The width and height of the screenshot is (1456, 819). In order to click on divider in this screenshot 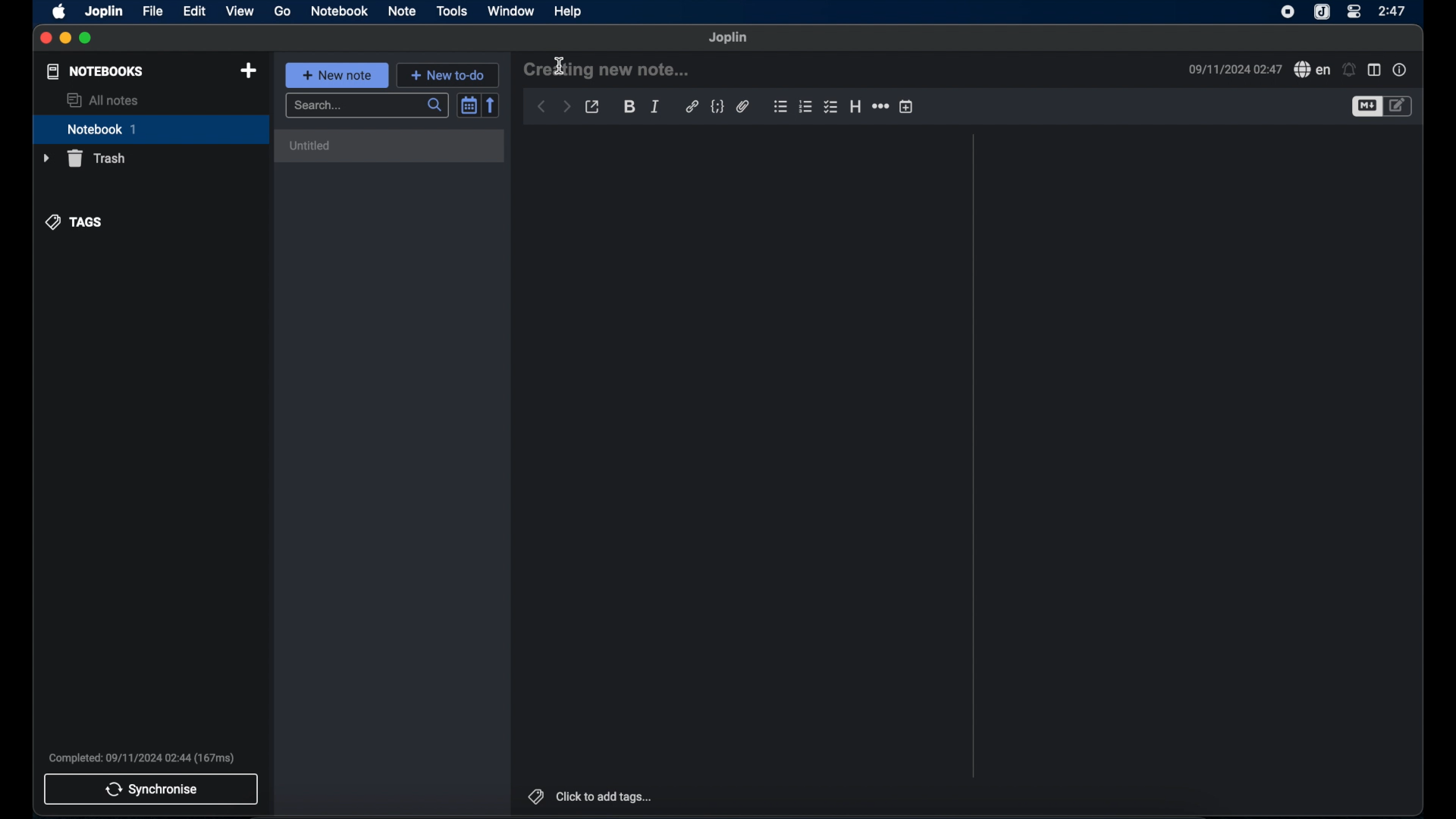, I will do `click(974, 456)`.